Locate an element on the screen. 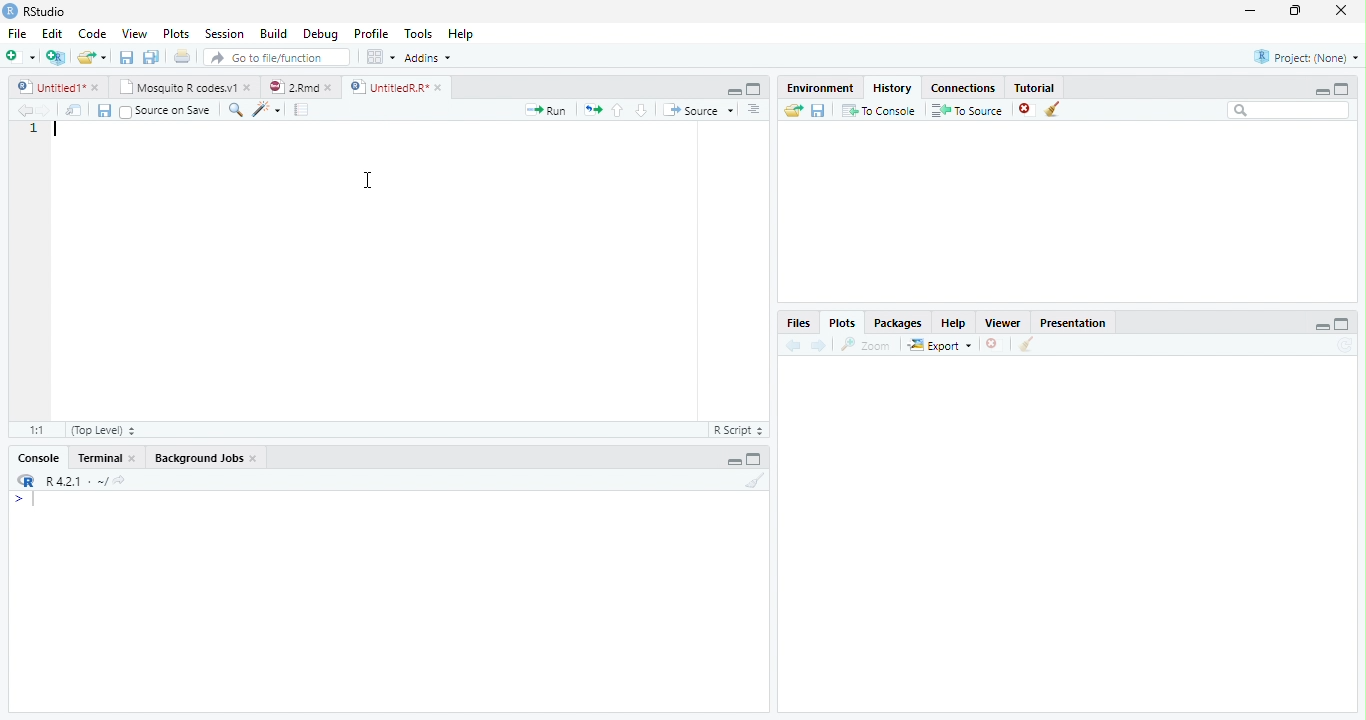 The image size is (1366, 720). R421 - ~/ is located at coordinates (70, 481).